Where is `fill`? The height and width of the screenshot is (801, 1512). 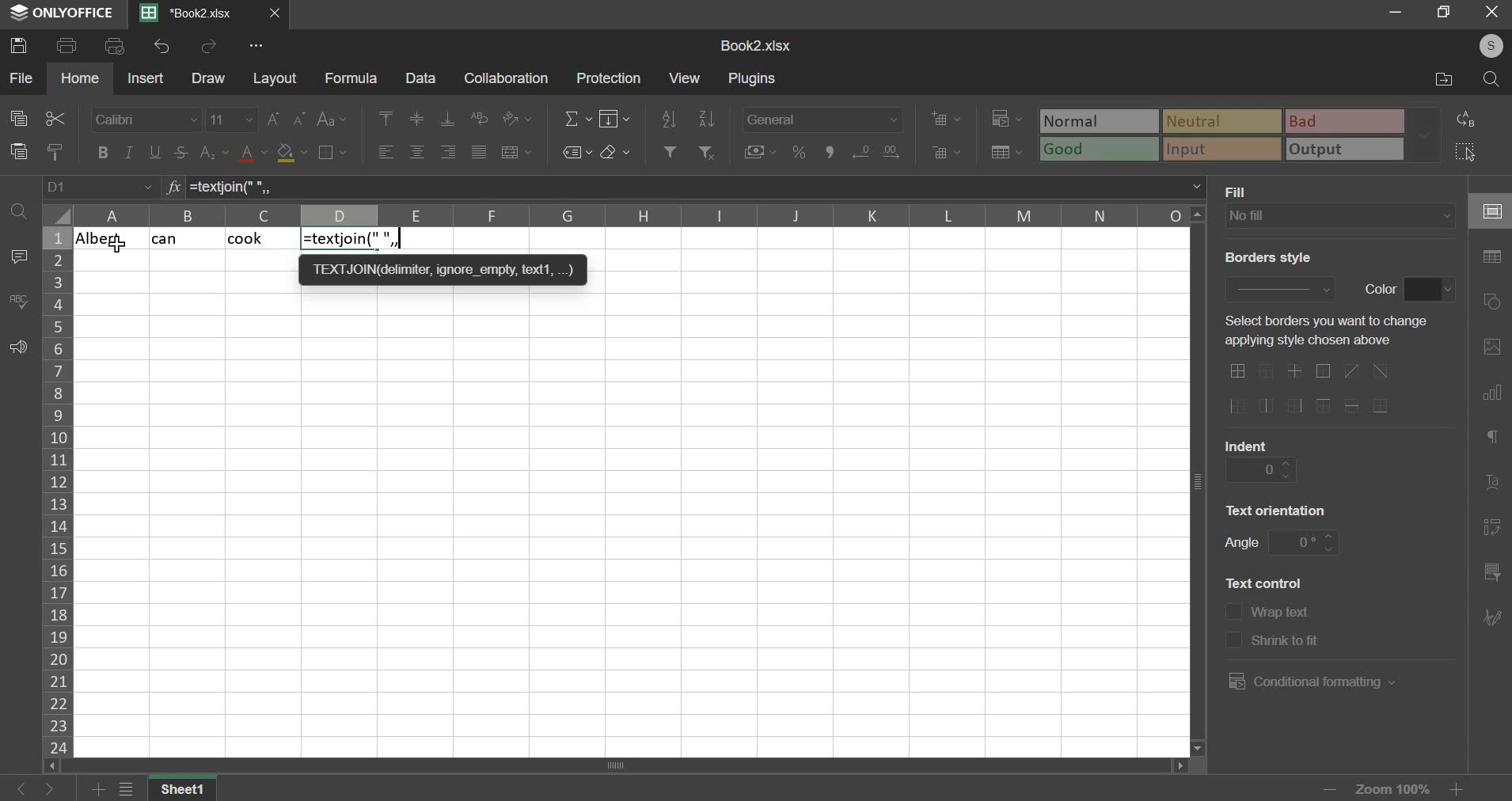
fill is located at coordinates (616, 118).